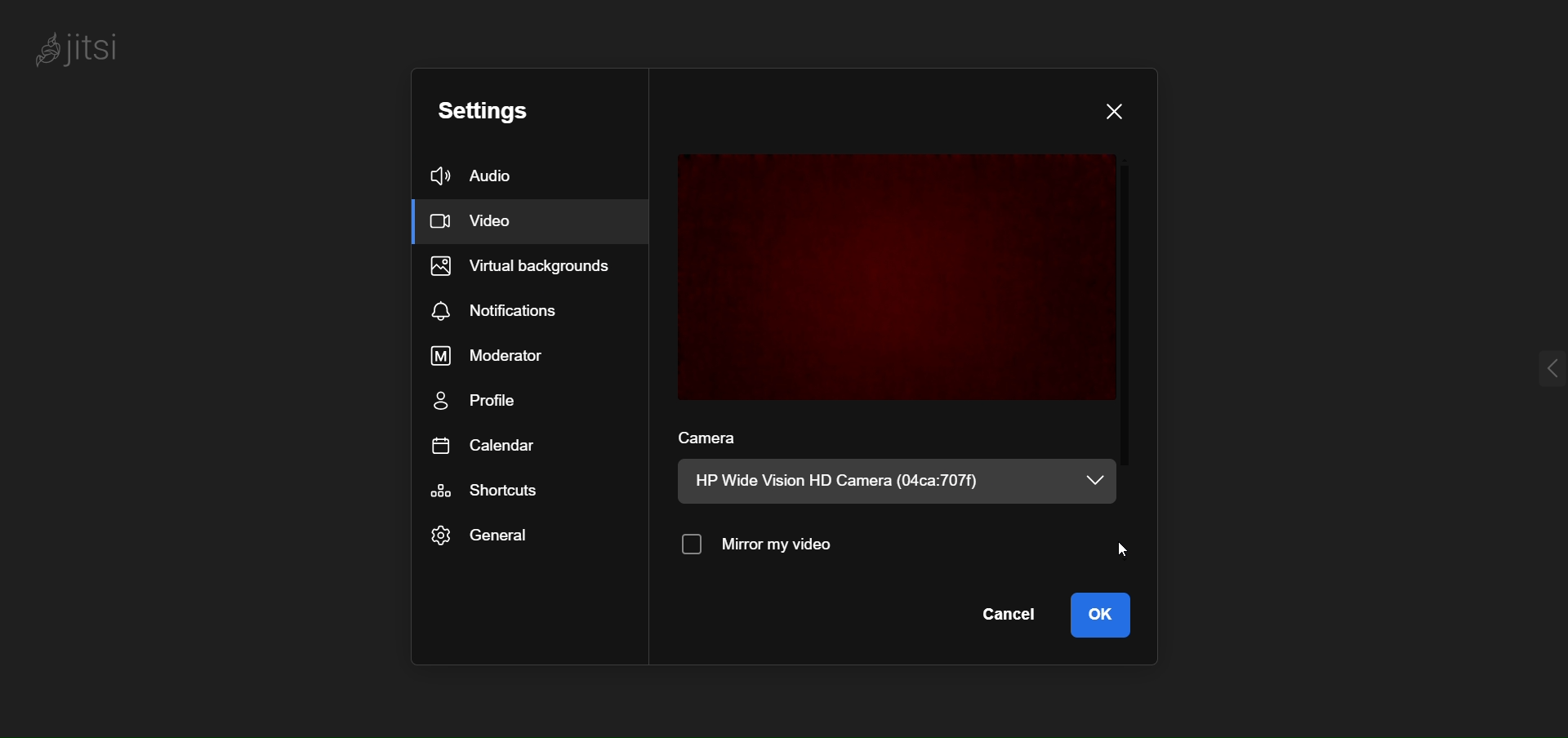  I want to click on calendar, so click(479, 445).